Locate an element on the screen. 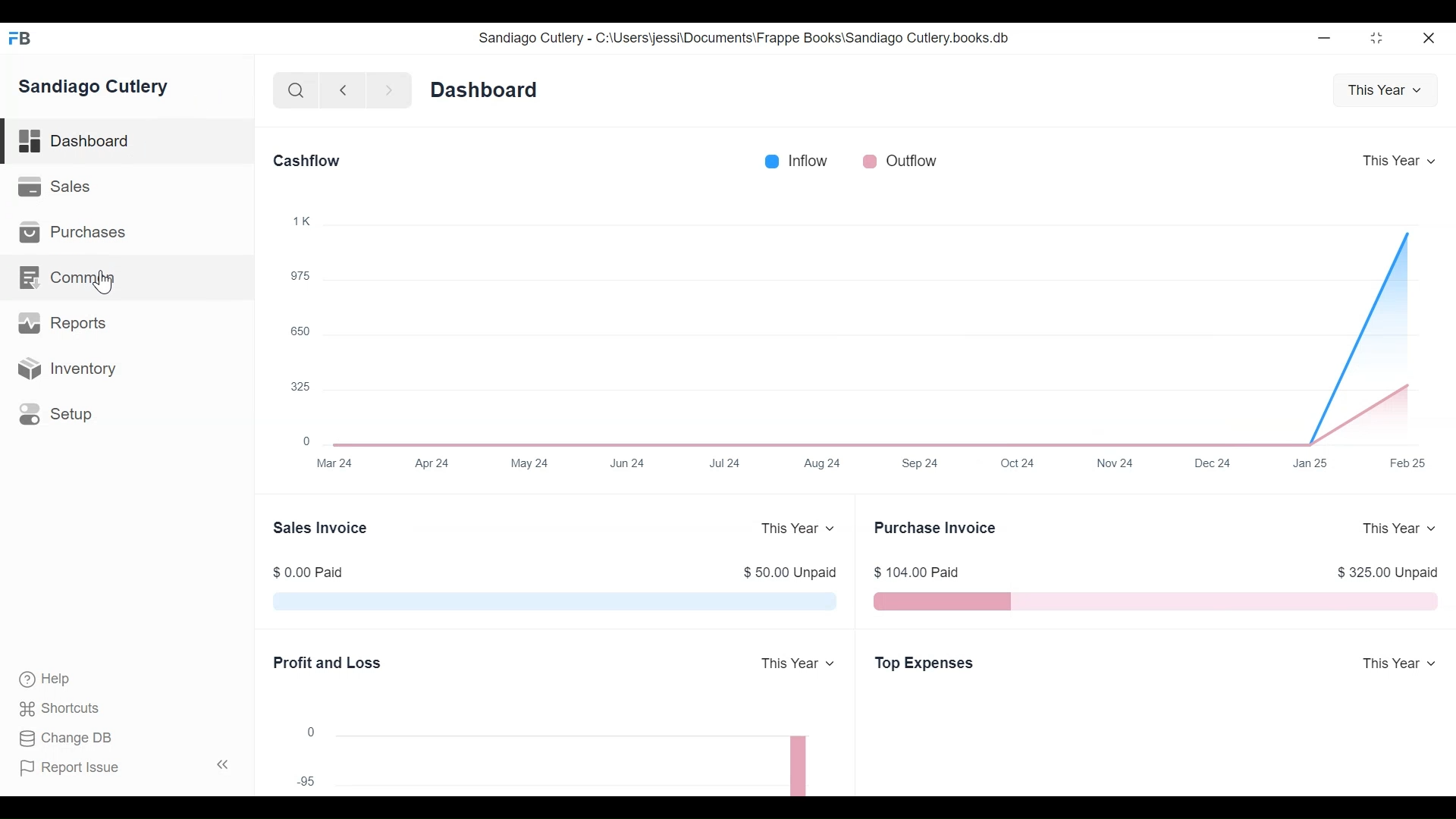 This screenshot has height=819, width=1456. $0.00 Paid is located at coordinates (309, 572).